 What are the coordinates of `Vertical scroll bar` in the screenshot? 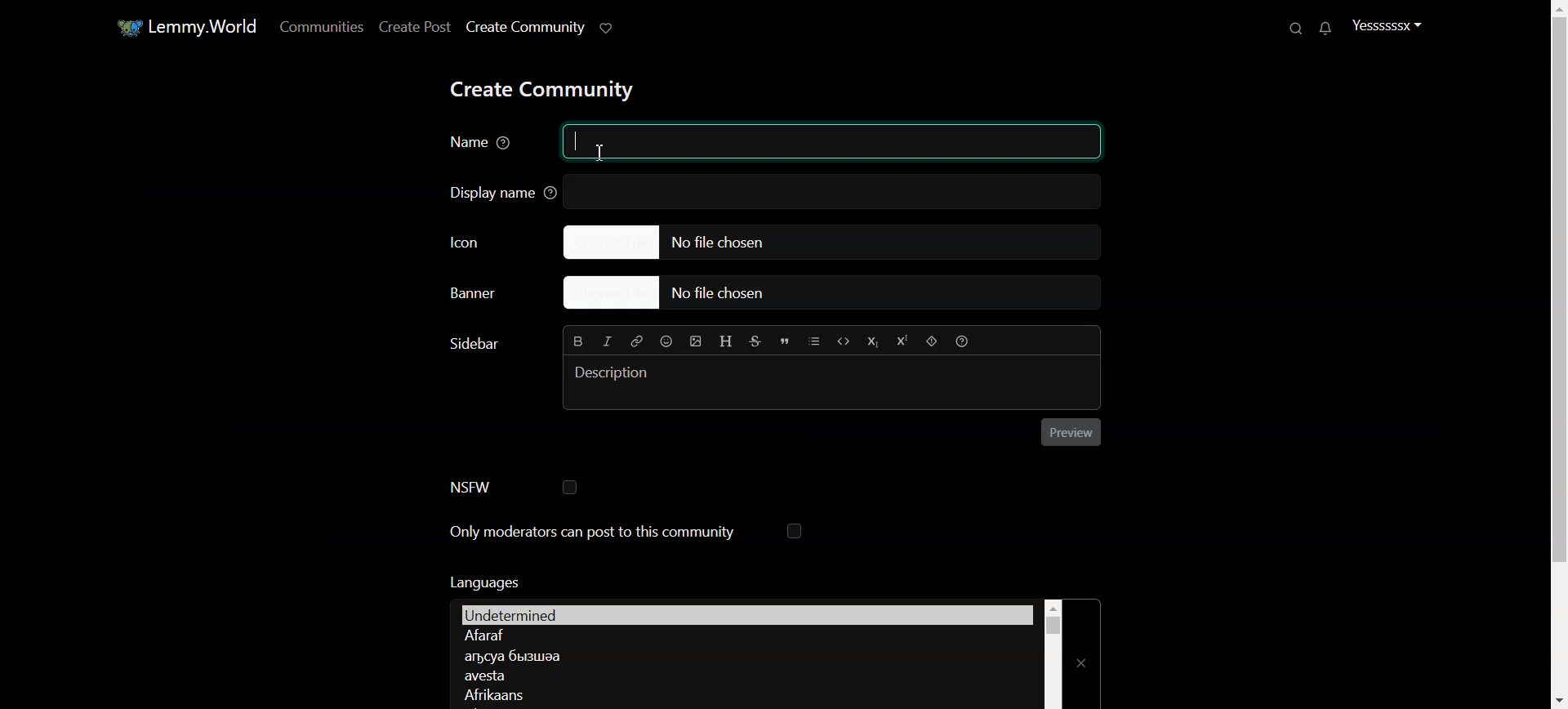 It's located at (1053, 653).